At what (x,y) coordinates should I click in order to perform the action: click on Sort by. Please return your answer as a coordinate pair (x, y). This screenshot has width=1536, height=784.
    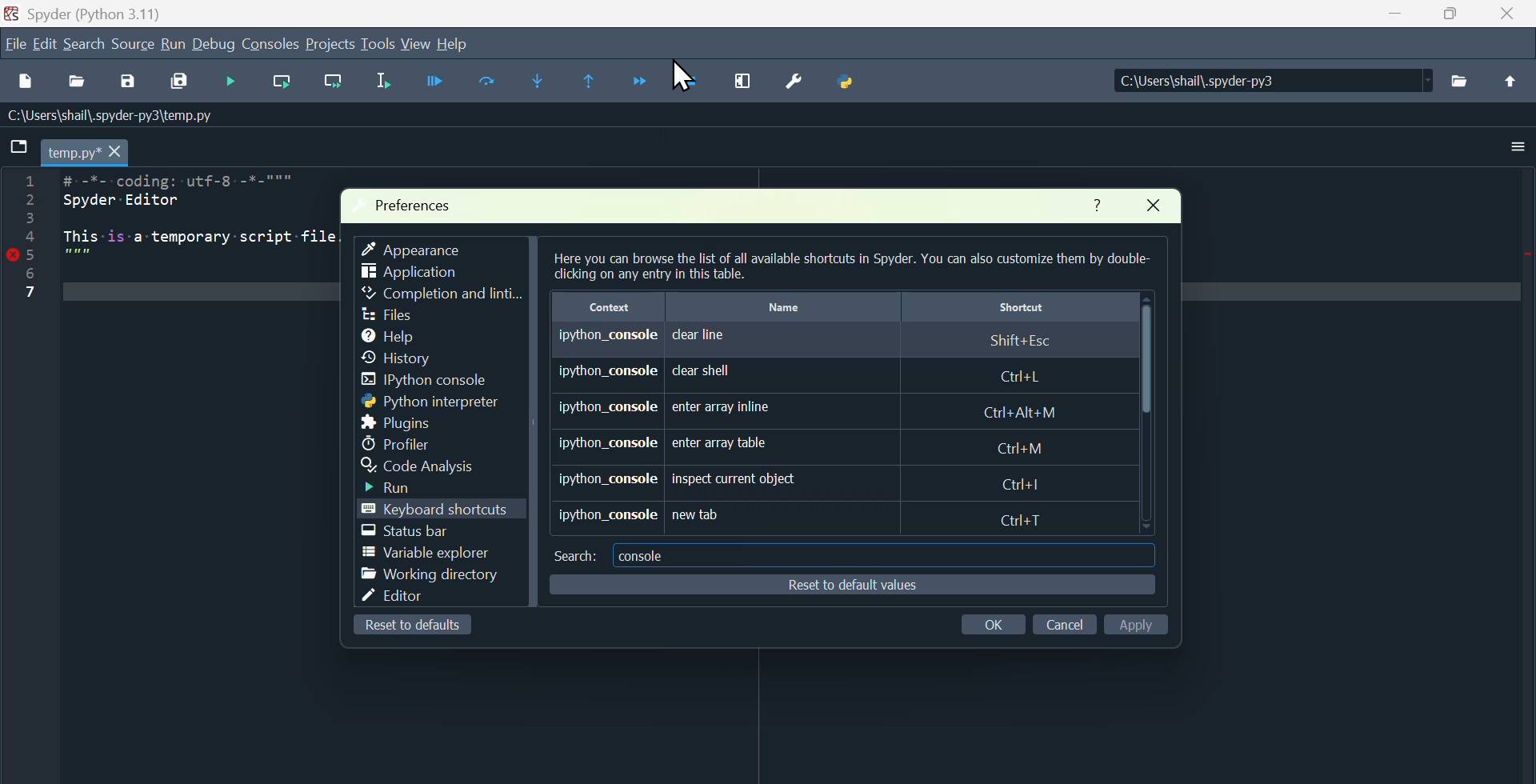
    Looking at the image, I should click on (850, 306).